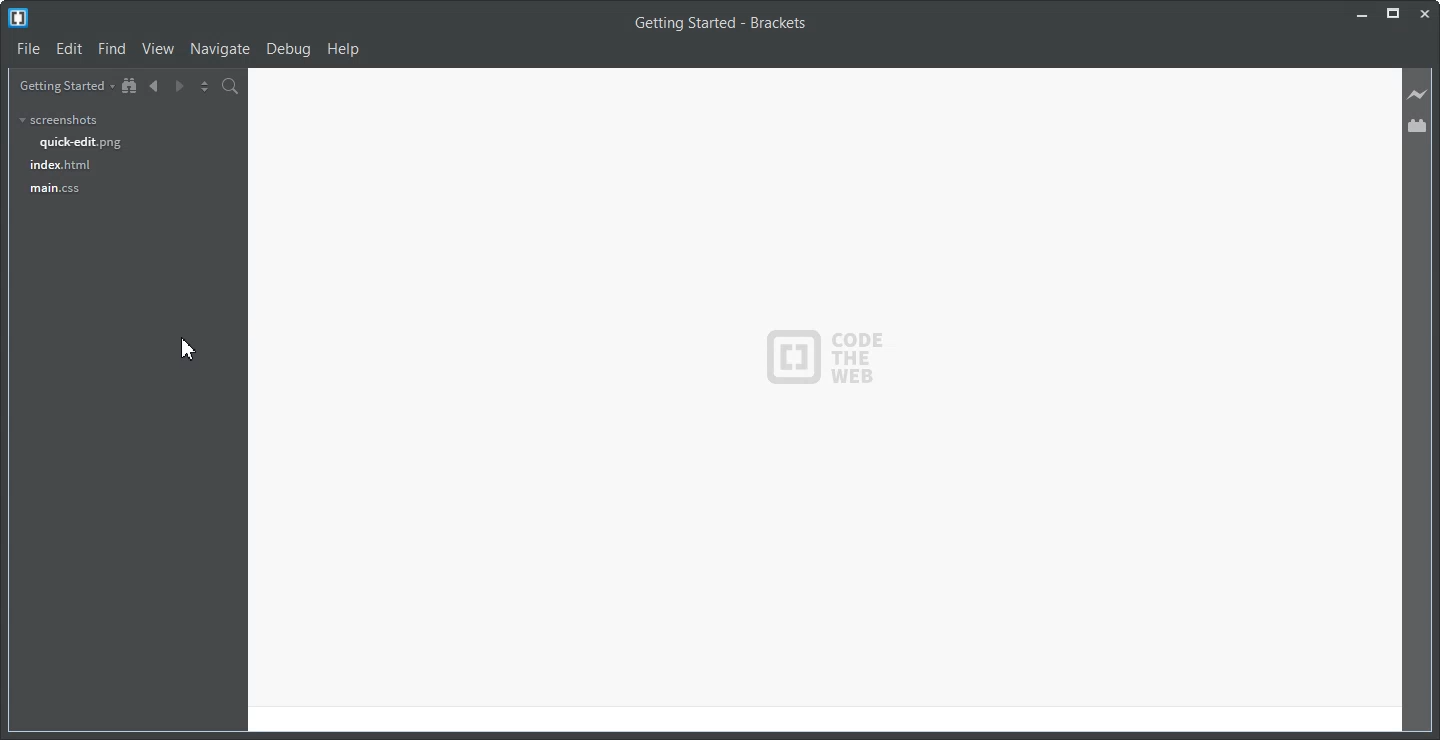 The width and height of the screenshot is (1440, 740). I want to click on Navigate Backward, so click(155, 85).